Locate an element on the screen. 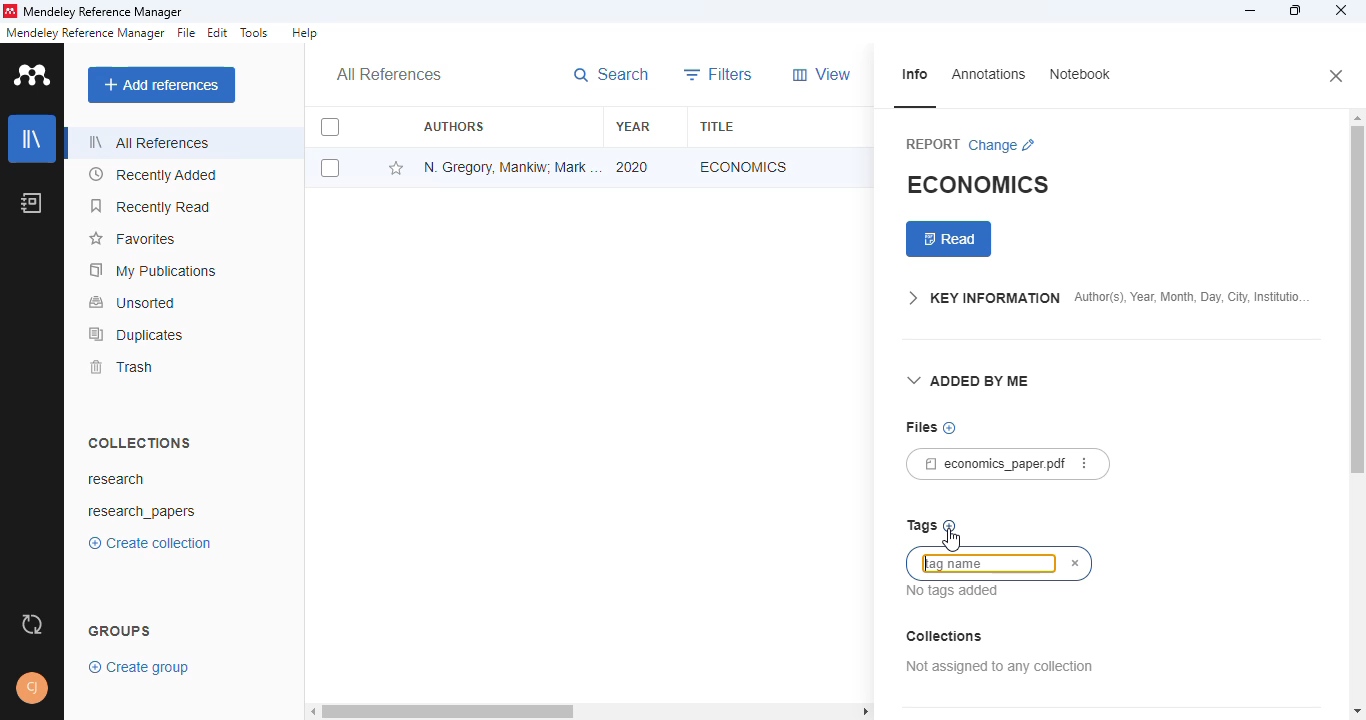  groups is located at coordinates (120, 631).